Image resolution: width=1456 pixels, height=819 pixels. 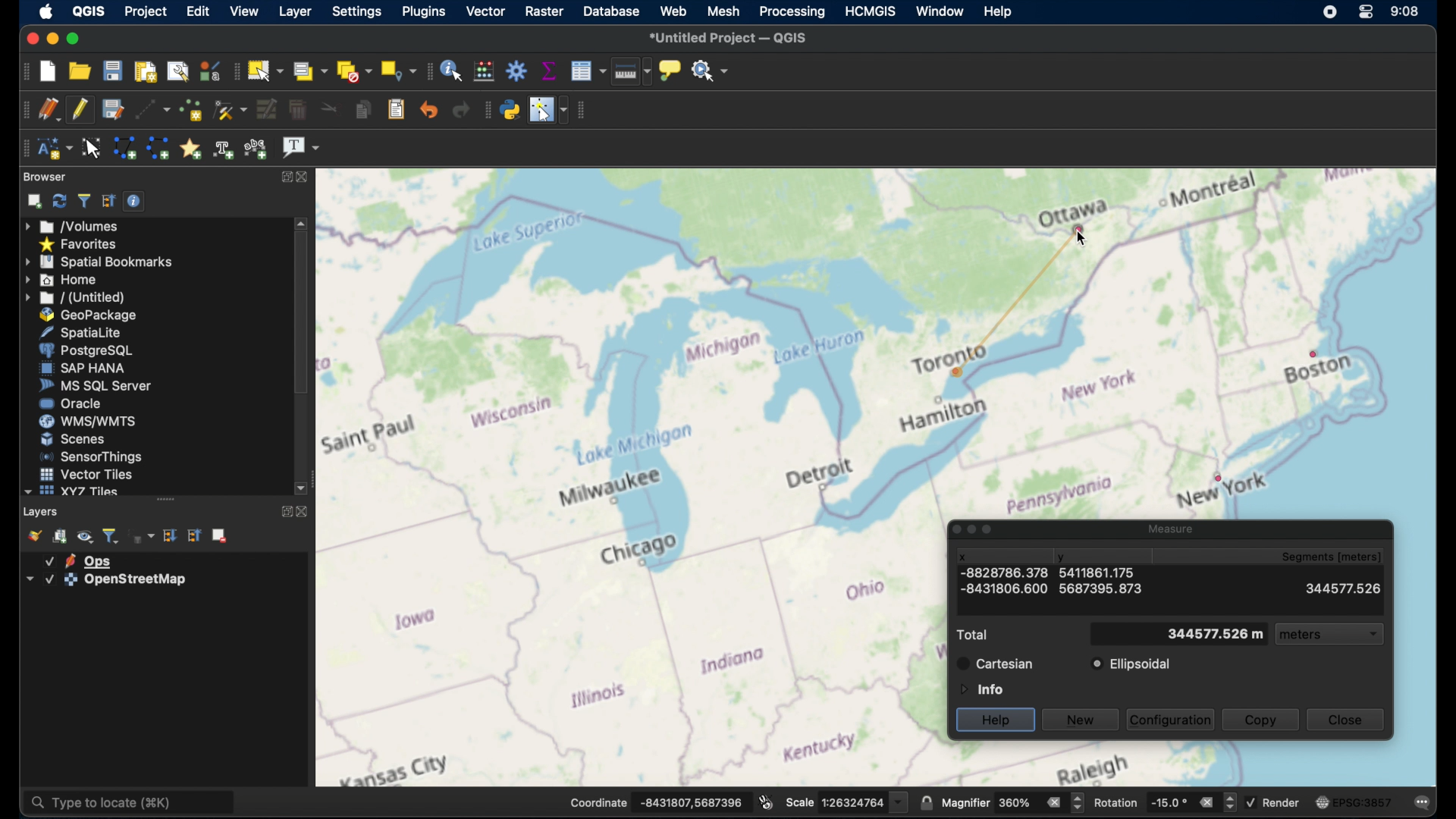 I want to click on browser, so click(x=46, y=177).